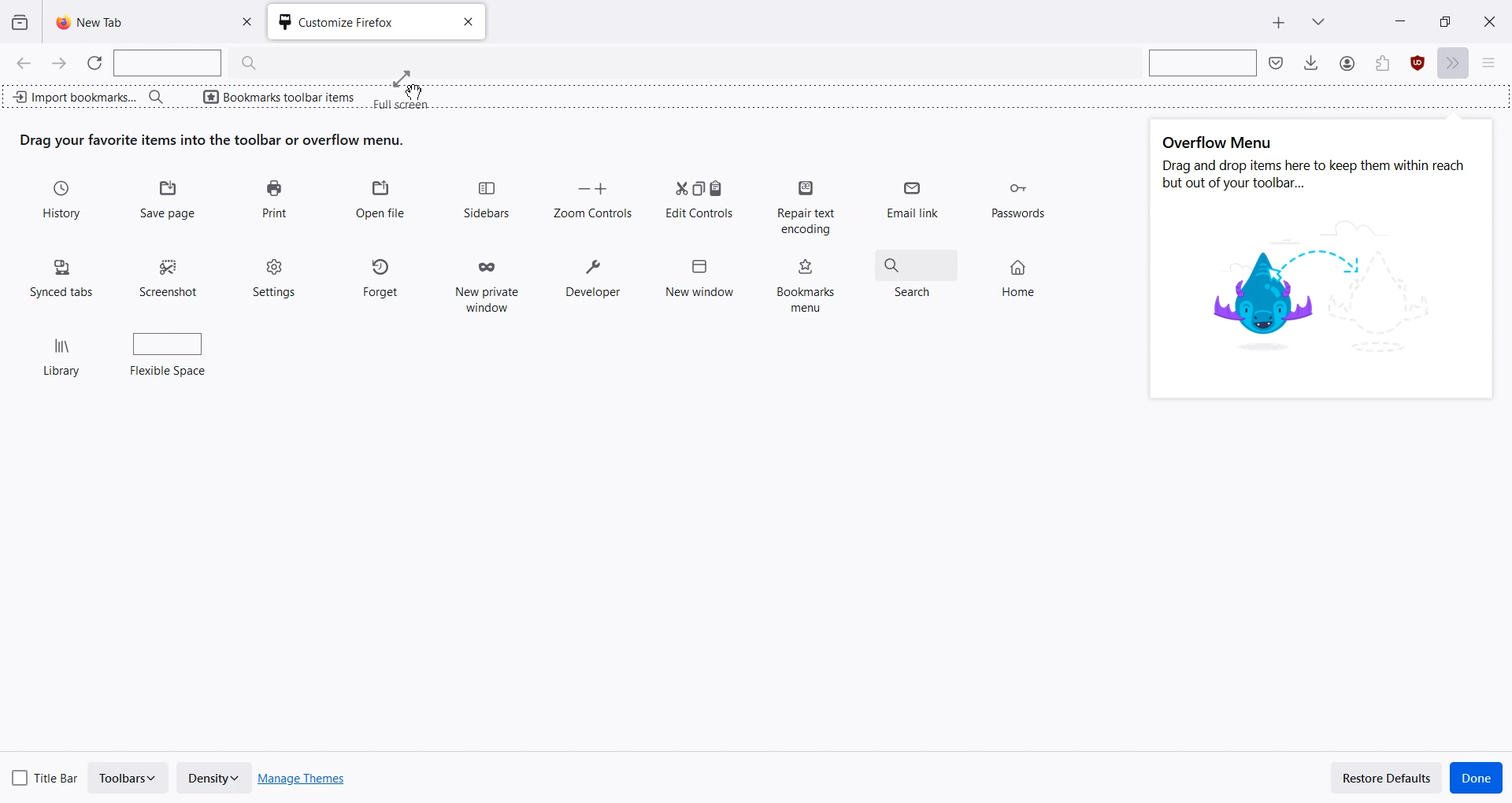 This screenshot has width=1512, height=803. What do you see at coordinates (350, 22) in the screenshot?
I see `Customize Firefox` at bounding box center [350, 22].